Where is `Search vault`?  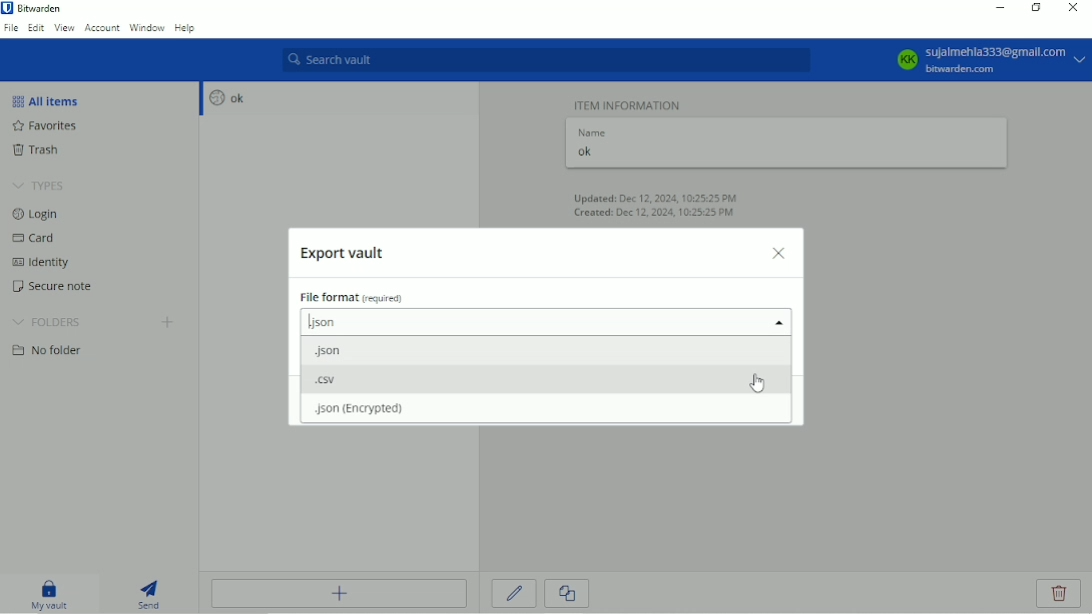 Search vault is located at coordinates (546, 60).